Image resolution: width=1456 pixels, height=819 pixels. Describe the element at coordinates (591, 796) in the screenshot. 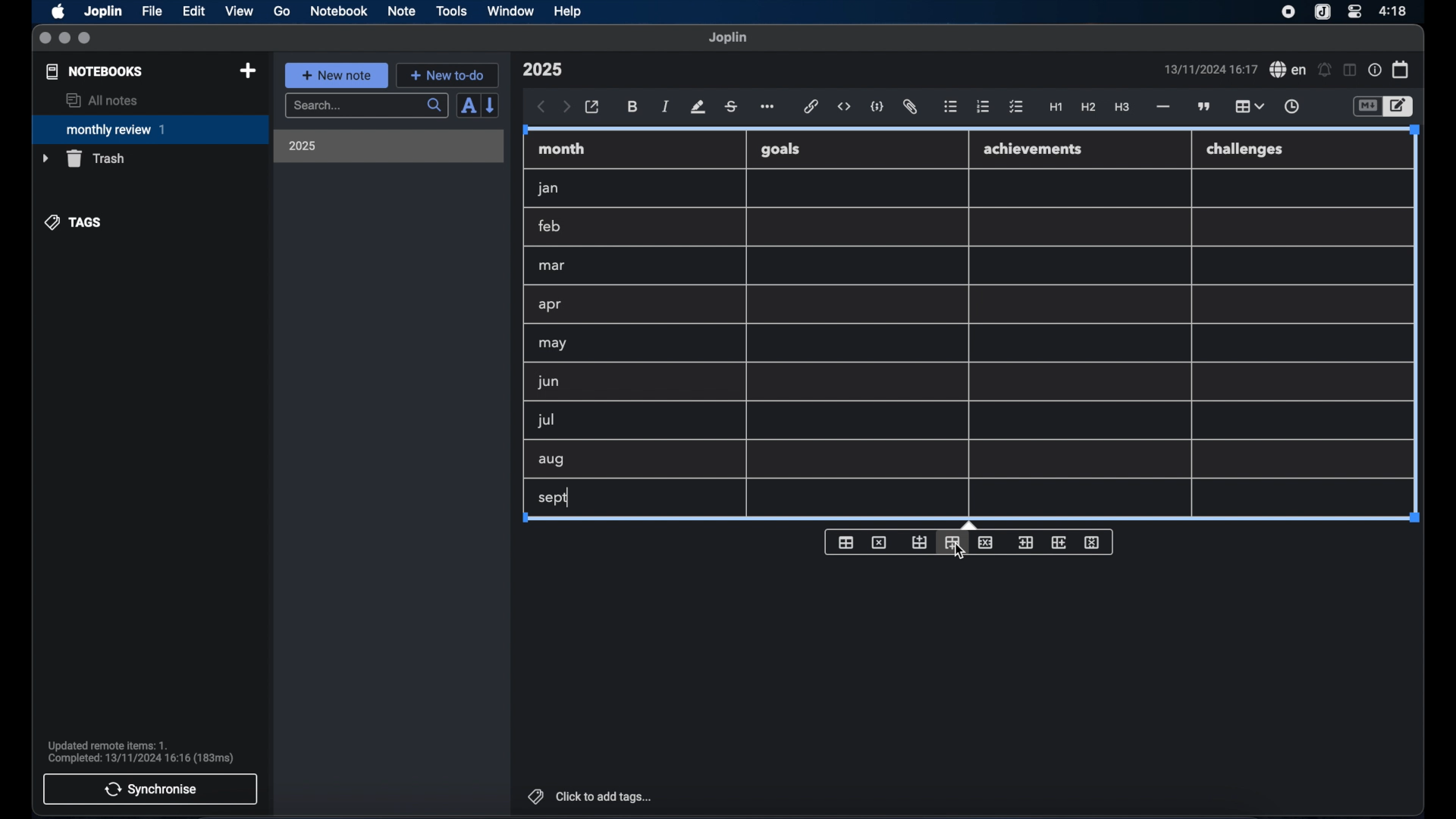

I see `click to add tags` at that location.